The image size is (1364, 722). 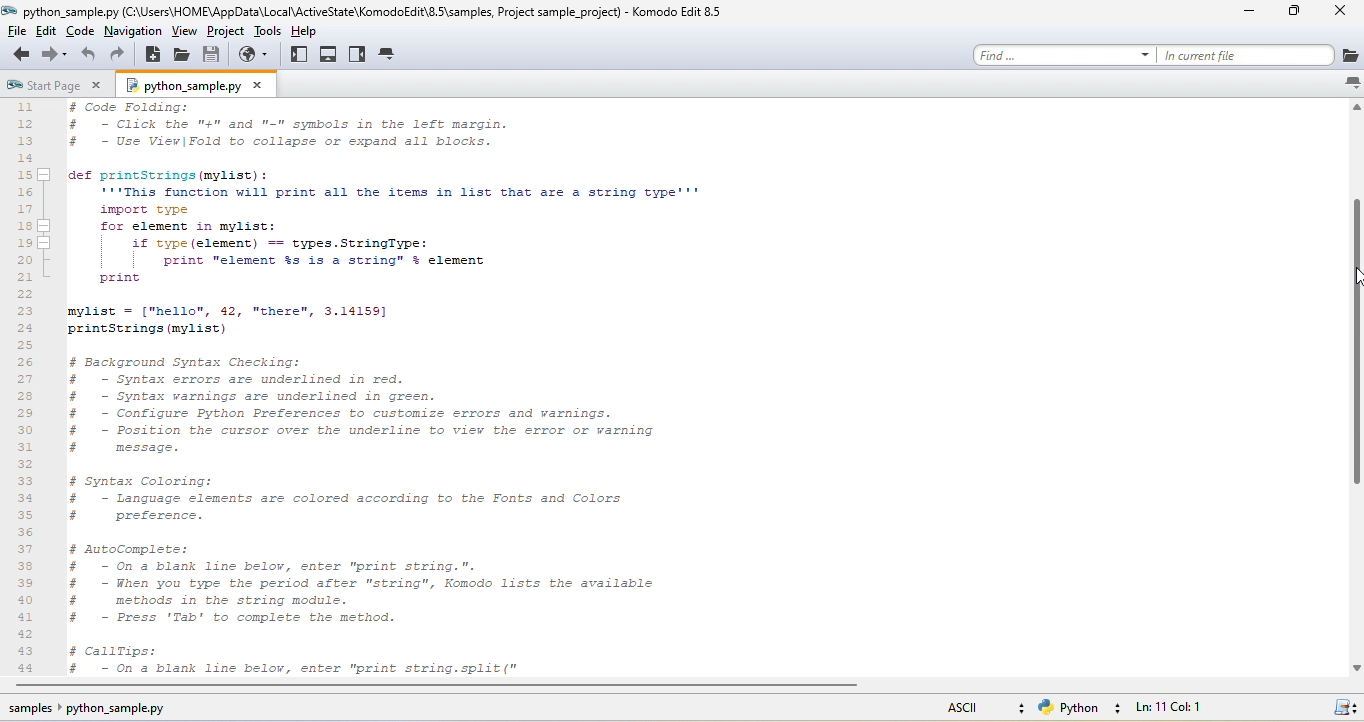 What do you see at coordinates (1081, 708) in the screenshot?
I see `python` at bounding box center [1081, 708].